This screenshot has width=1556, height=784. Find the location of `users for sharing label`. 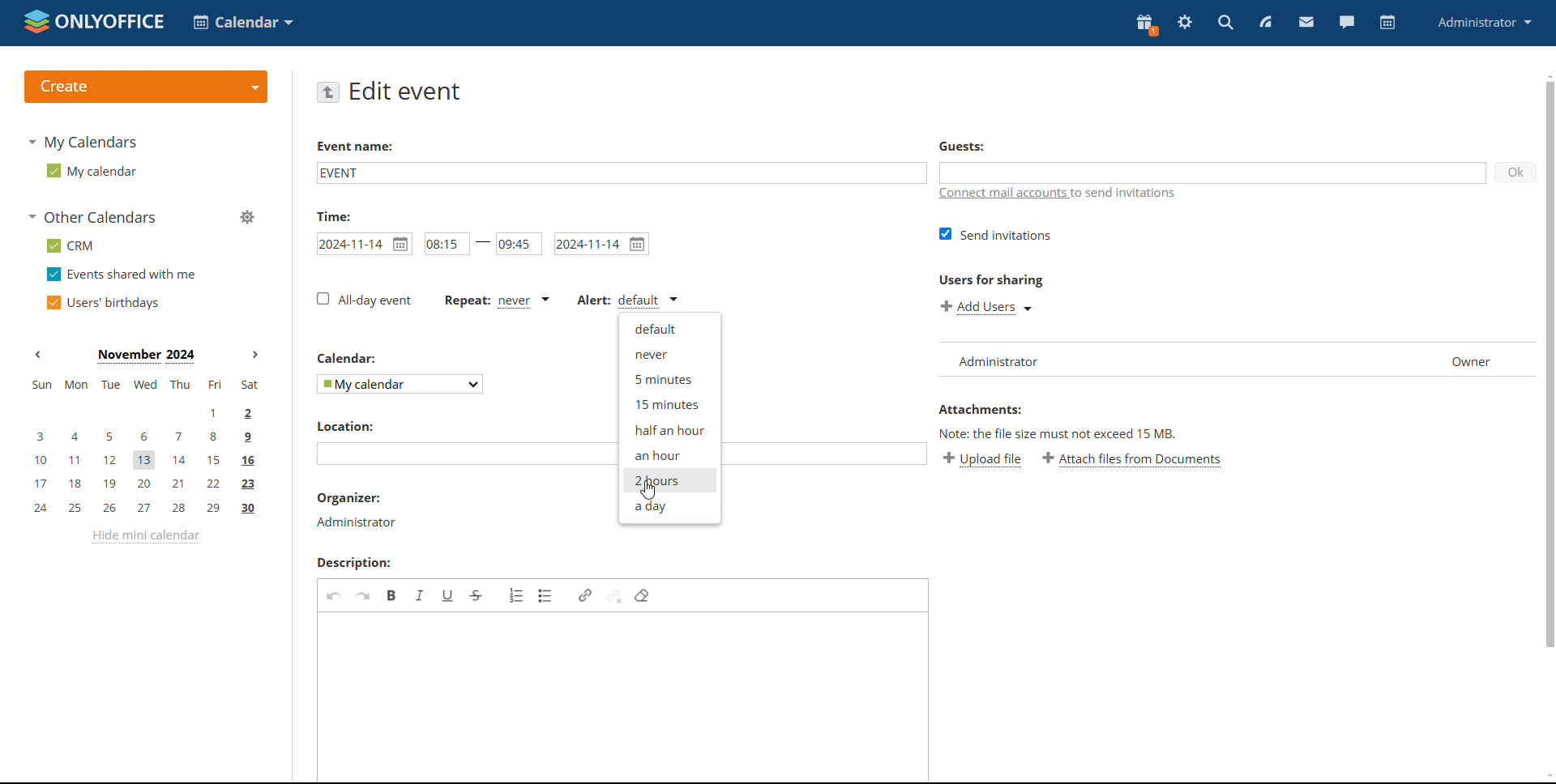

users for sharing label is located at coordinates (995, 280).